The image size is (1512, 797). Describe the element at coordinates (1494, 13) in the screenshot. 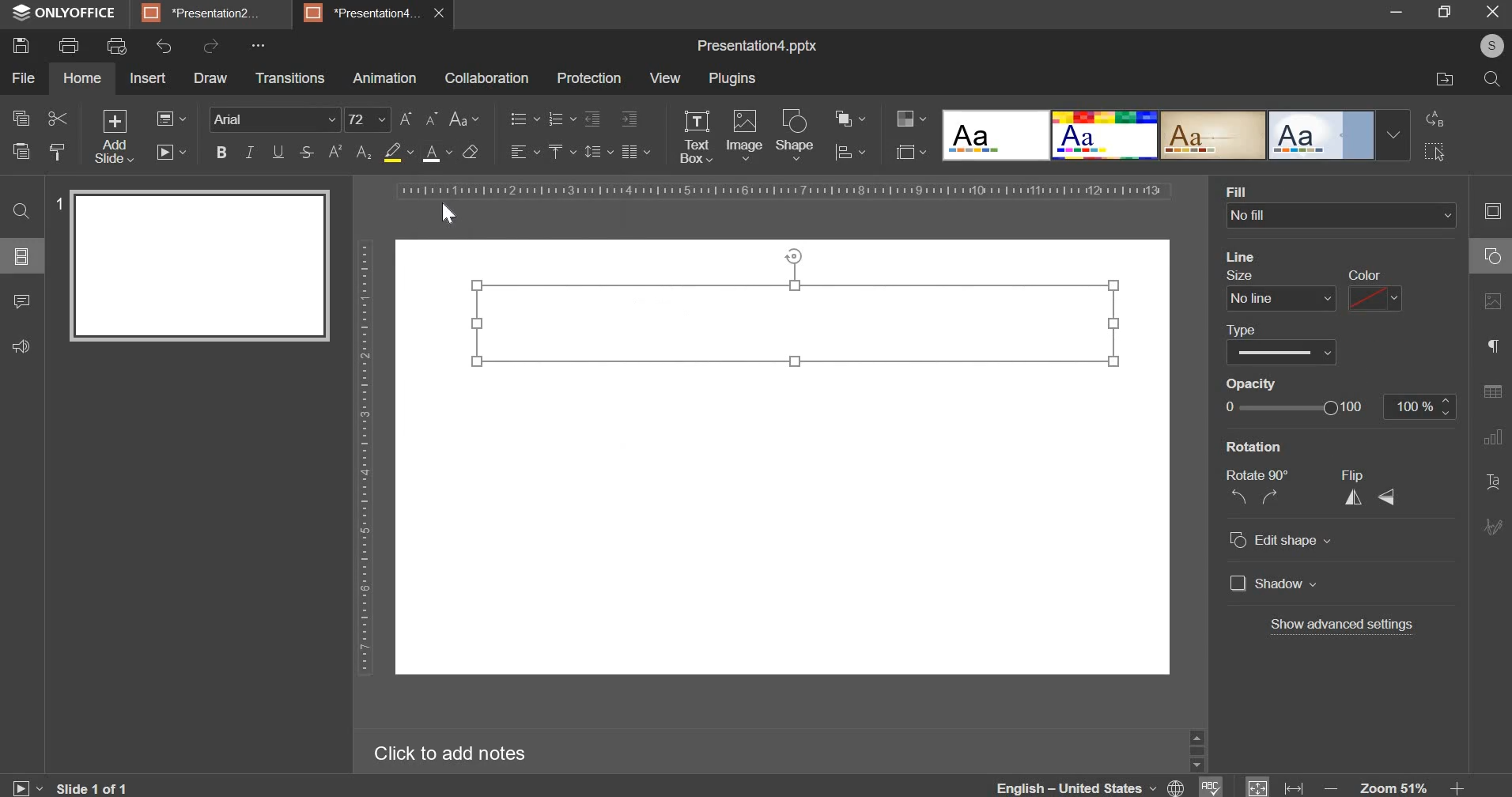

I see `Close` at that location.